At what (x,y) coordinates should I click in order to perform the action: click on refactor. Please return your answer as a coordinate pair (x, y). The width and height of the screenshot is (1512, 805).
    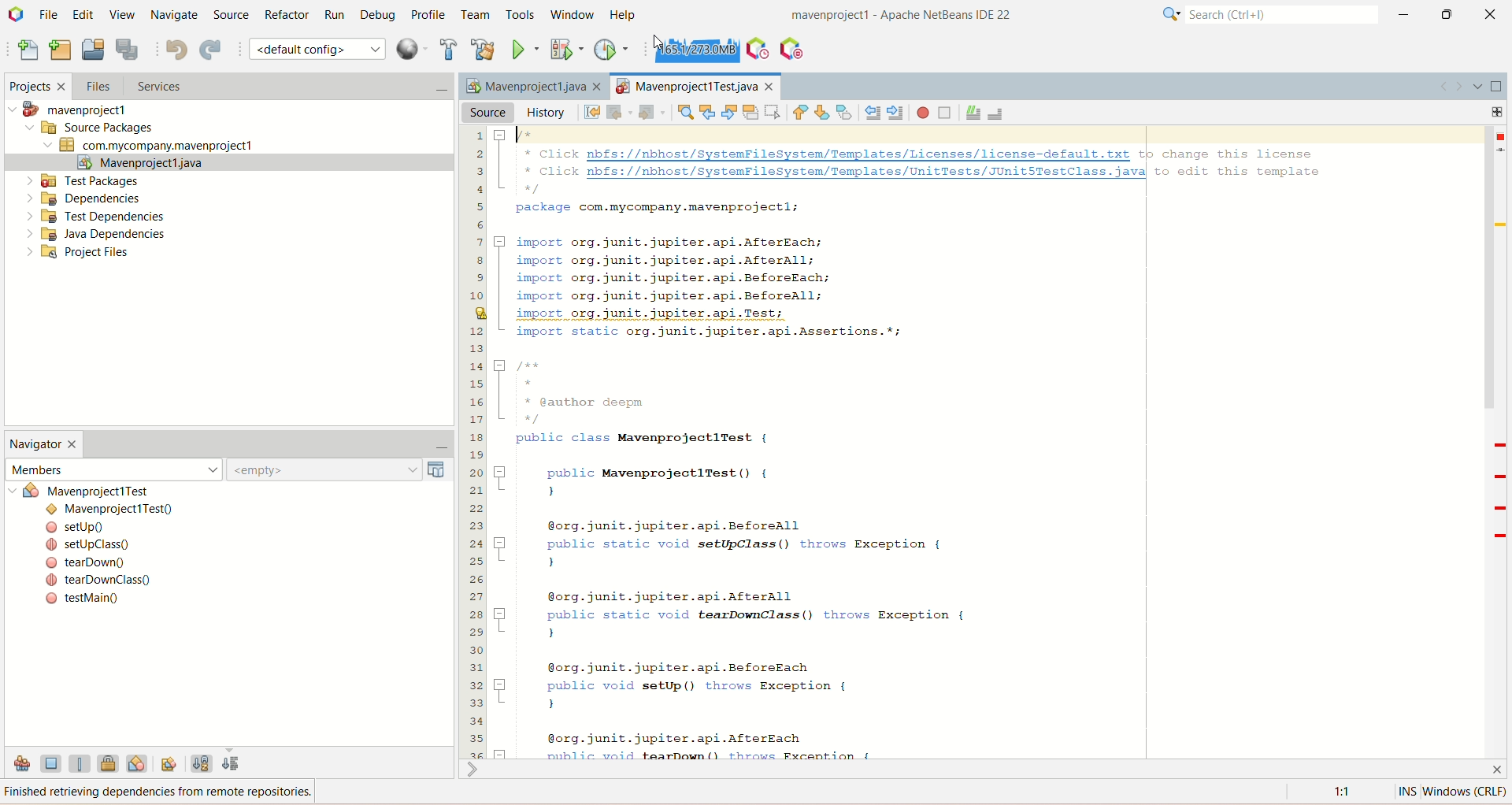
    Looking at the image, I should click on (287, 15).